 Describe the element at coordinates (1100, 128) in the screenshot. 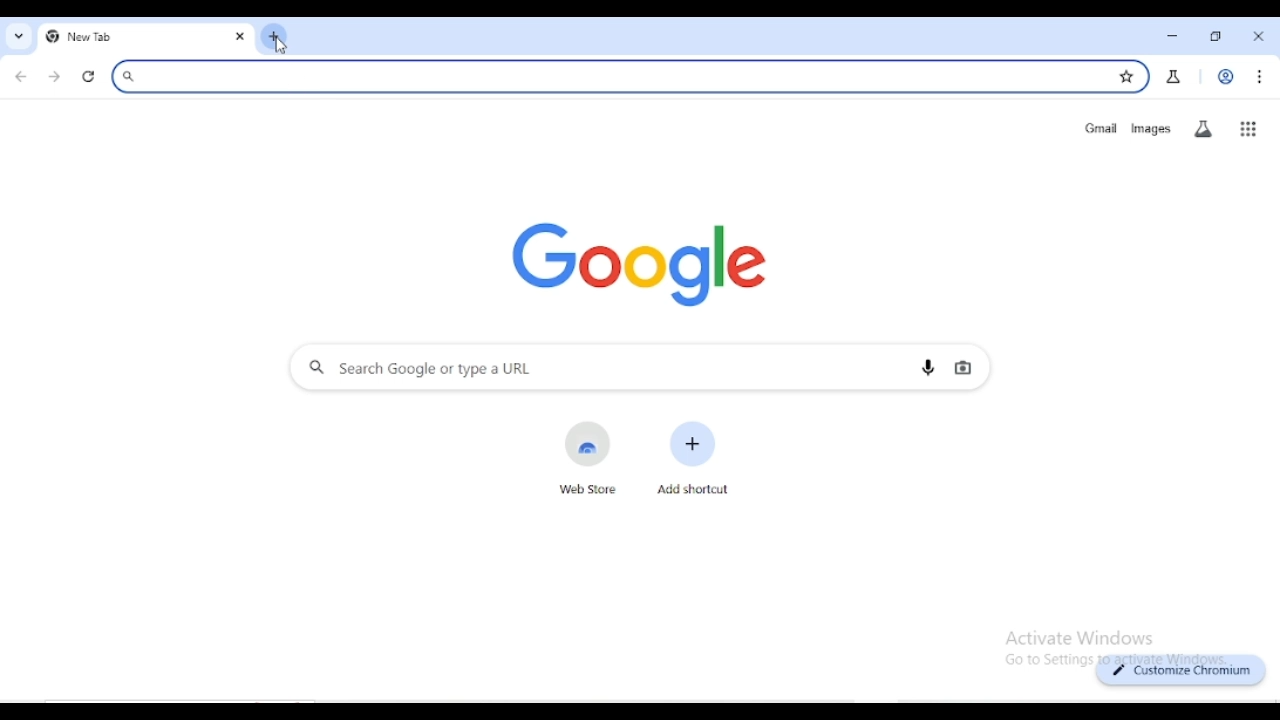

I see `gmail` at that location.